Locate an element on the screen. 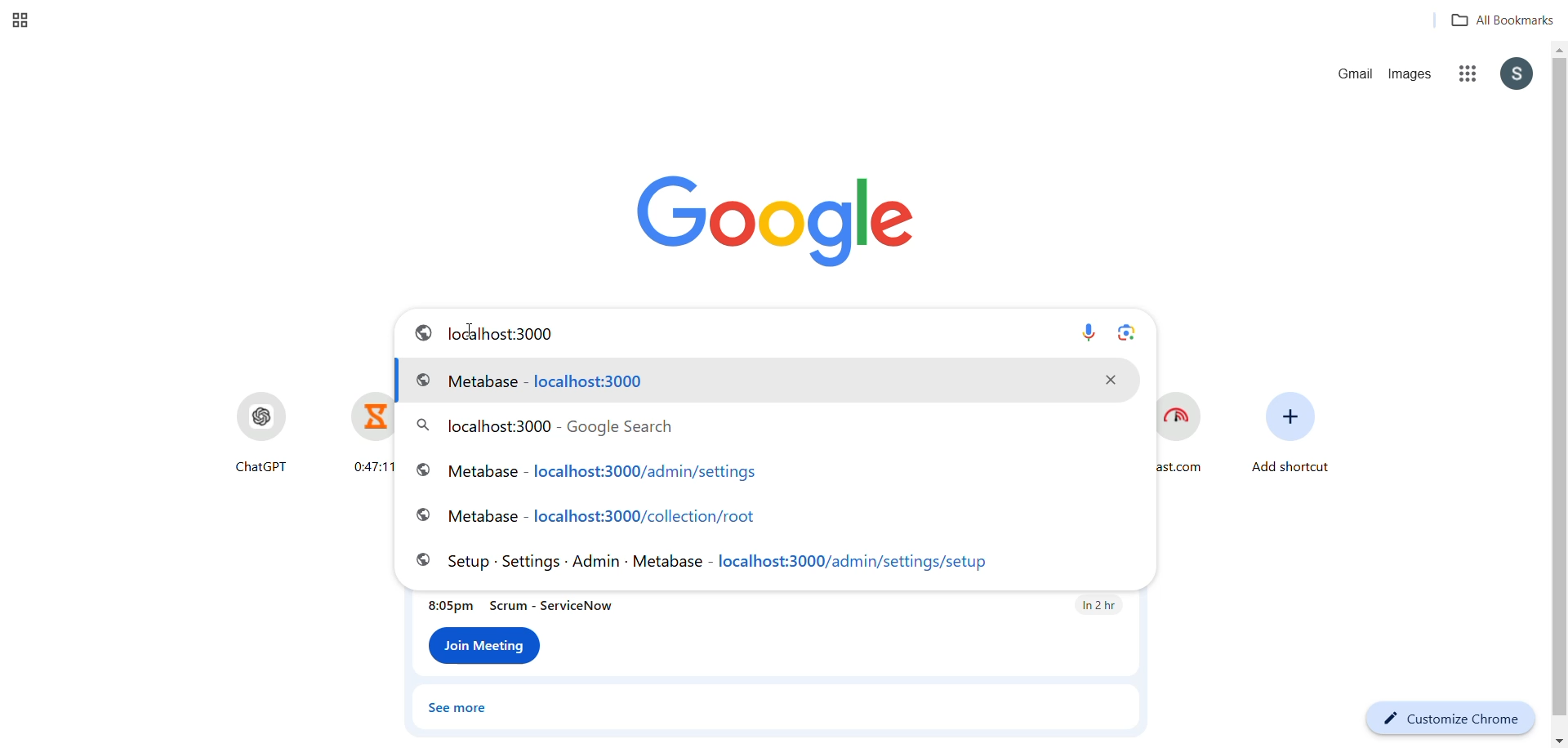 Image resolution: width=1568 pixels, height=748 pixels. meeting info is located at coordinates (519, 603).